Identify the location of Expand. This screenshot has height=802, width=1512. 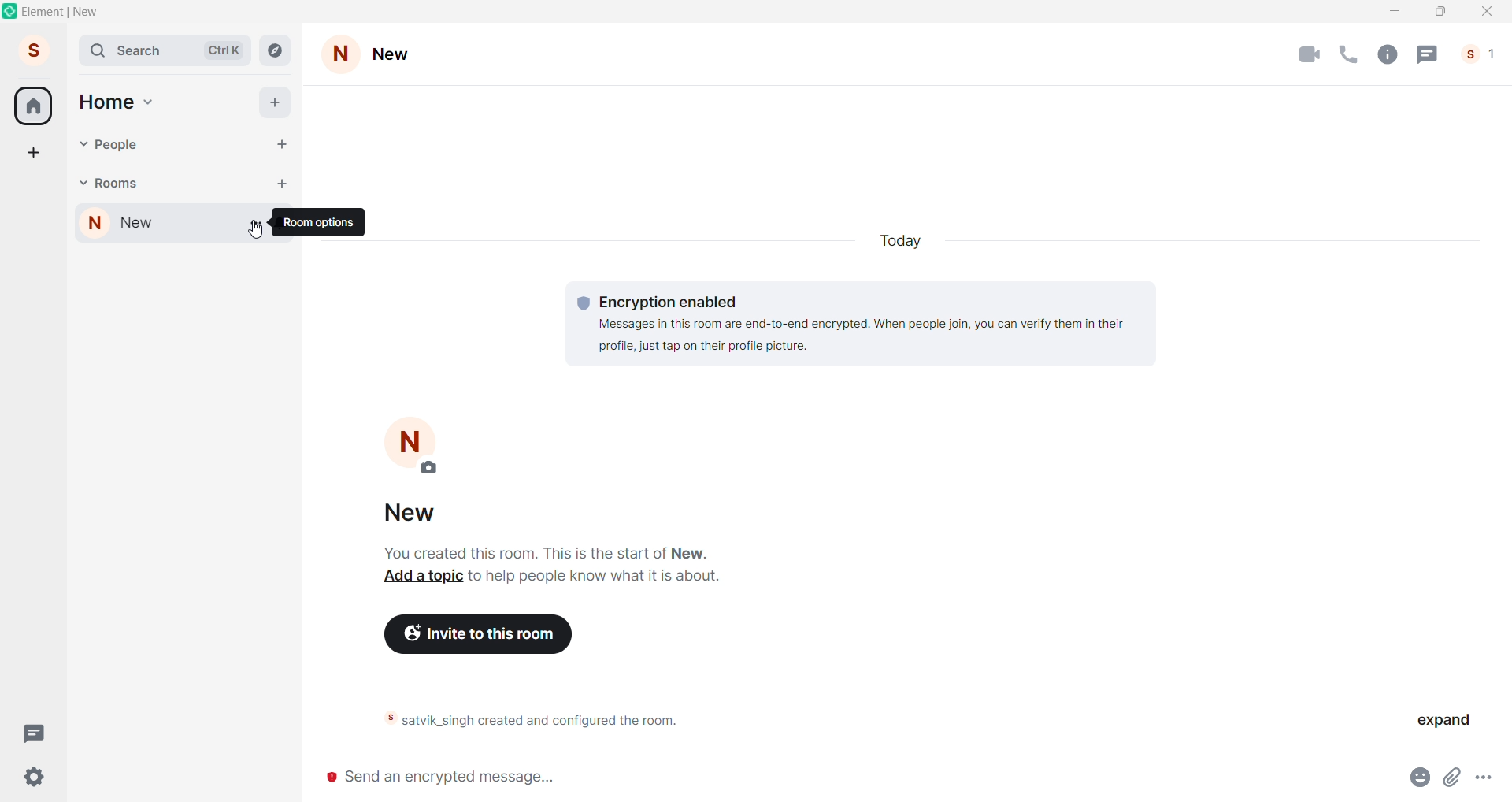
(1436, 722).